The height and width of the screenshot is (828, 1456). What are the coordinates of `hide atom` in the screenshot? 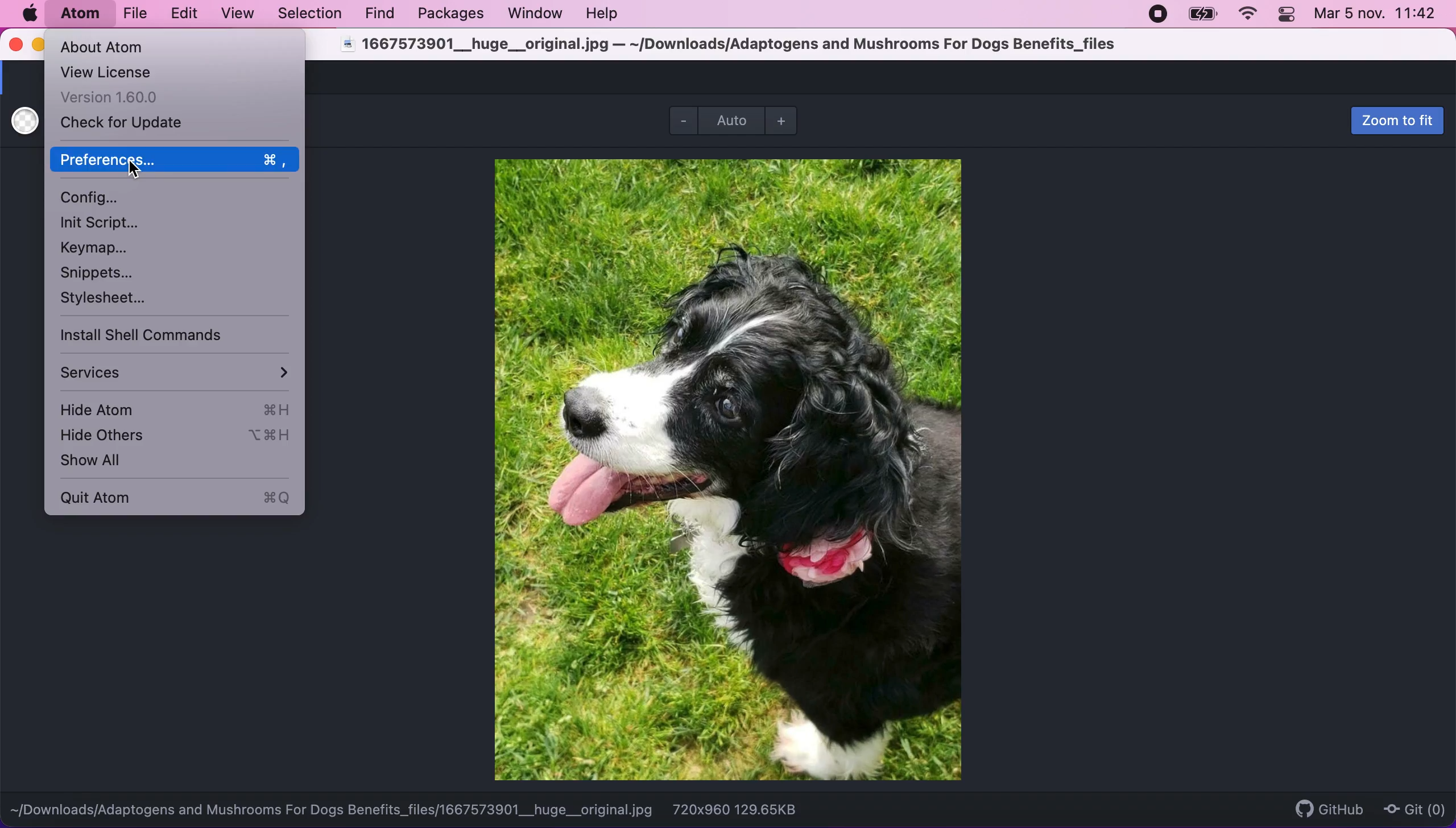 It's located at (175, 409).